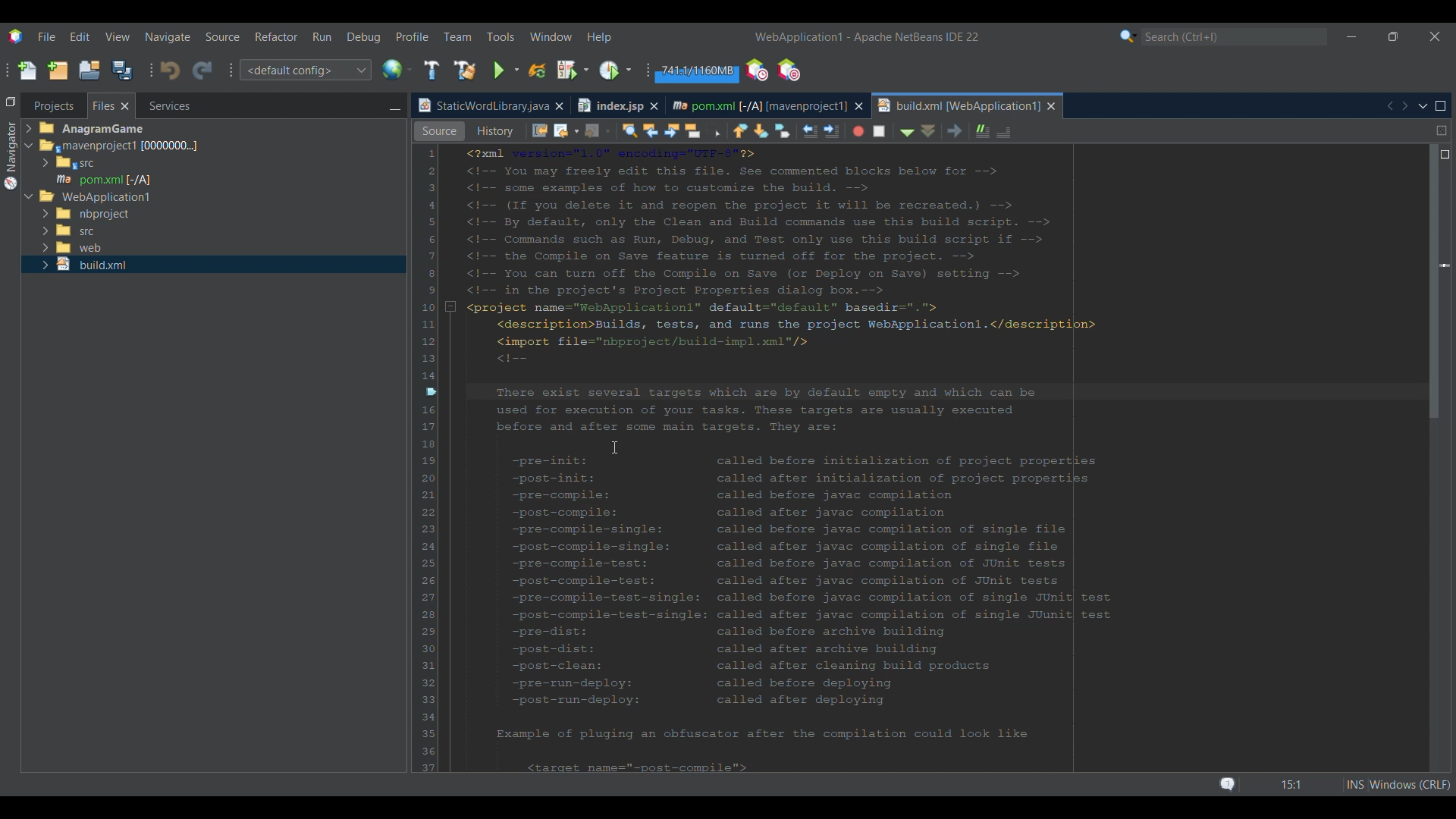 The width and height of the screenshot is (1456, 819). I want to click on IDE's default browser, so click(397, 70).